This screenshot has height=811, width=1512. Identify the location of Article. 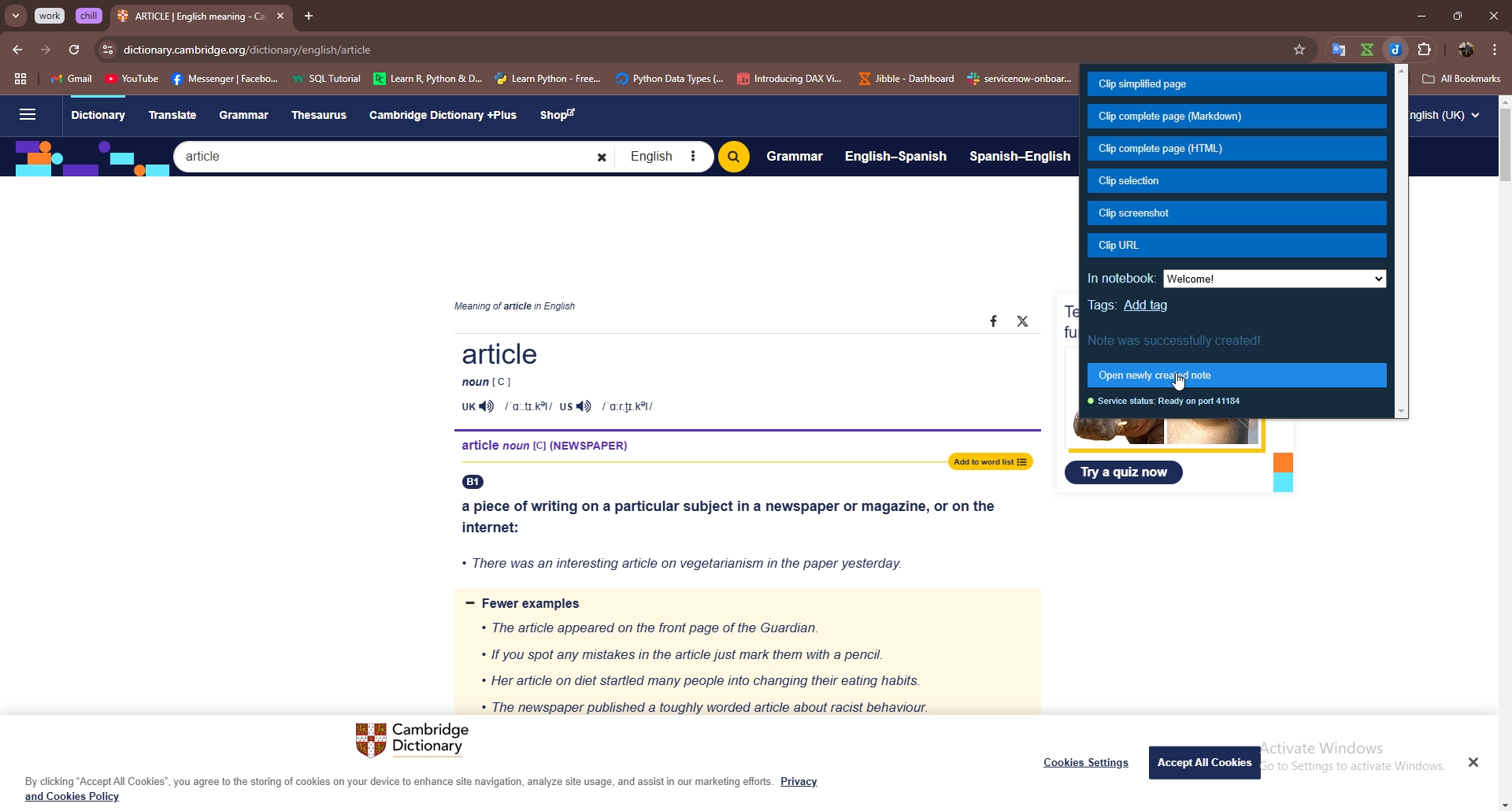
(733, 379).